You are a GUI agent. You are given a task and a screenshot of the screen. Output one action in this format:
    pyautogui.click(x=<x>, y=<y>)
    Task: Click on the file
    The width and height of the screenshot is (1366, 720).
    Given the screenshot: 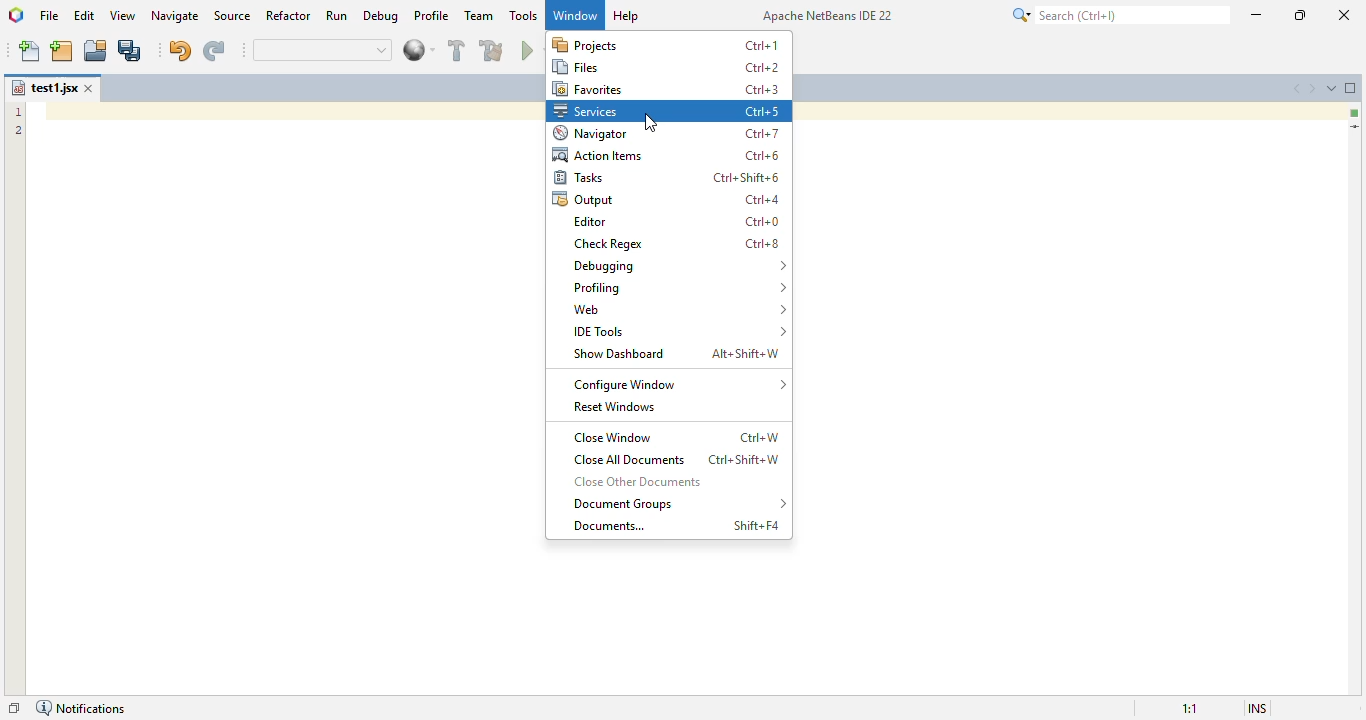 What is the action you would take?
    pyautogui.click(x=50, y=15)
    